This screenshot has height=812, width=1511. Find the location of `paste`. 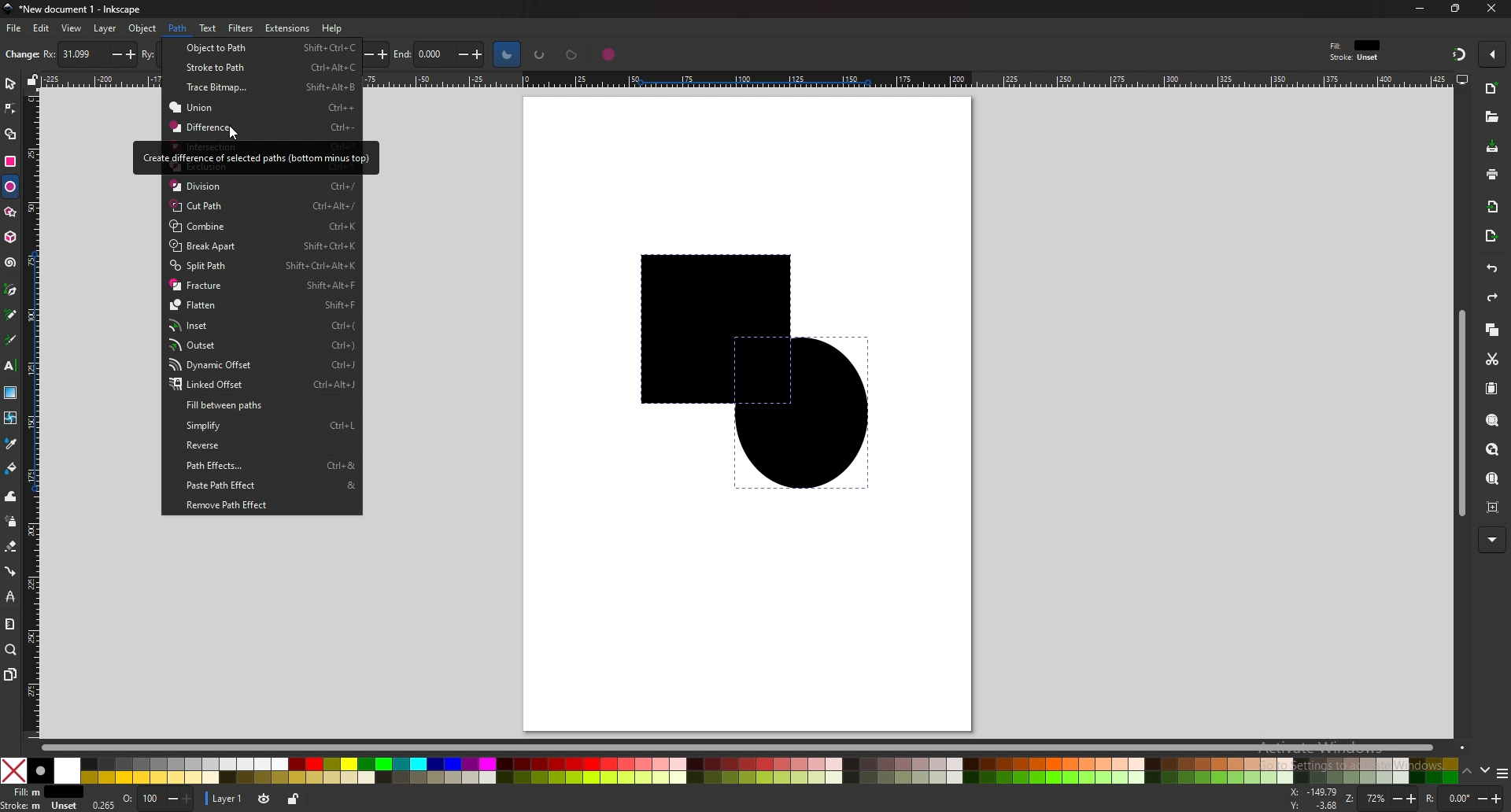

paste is located at coordinates (1492, 387).